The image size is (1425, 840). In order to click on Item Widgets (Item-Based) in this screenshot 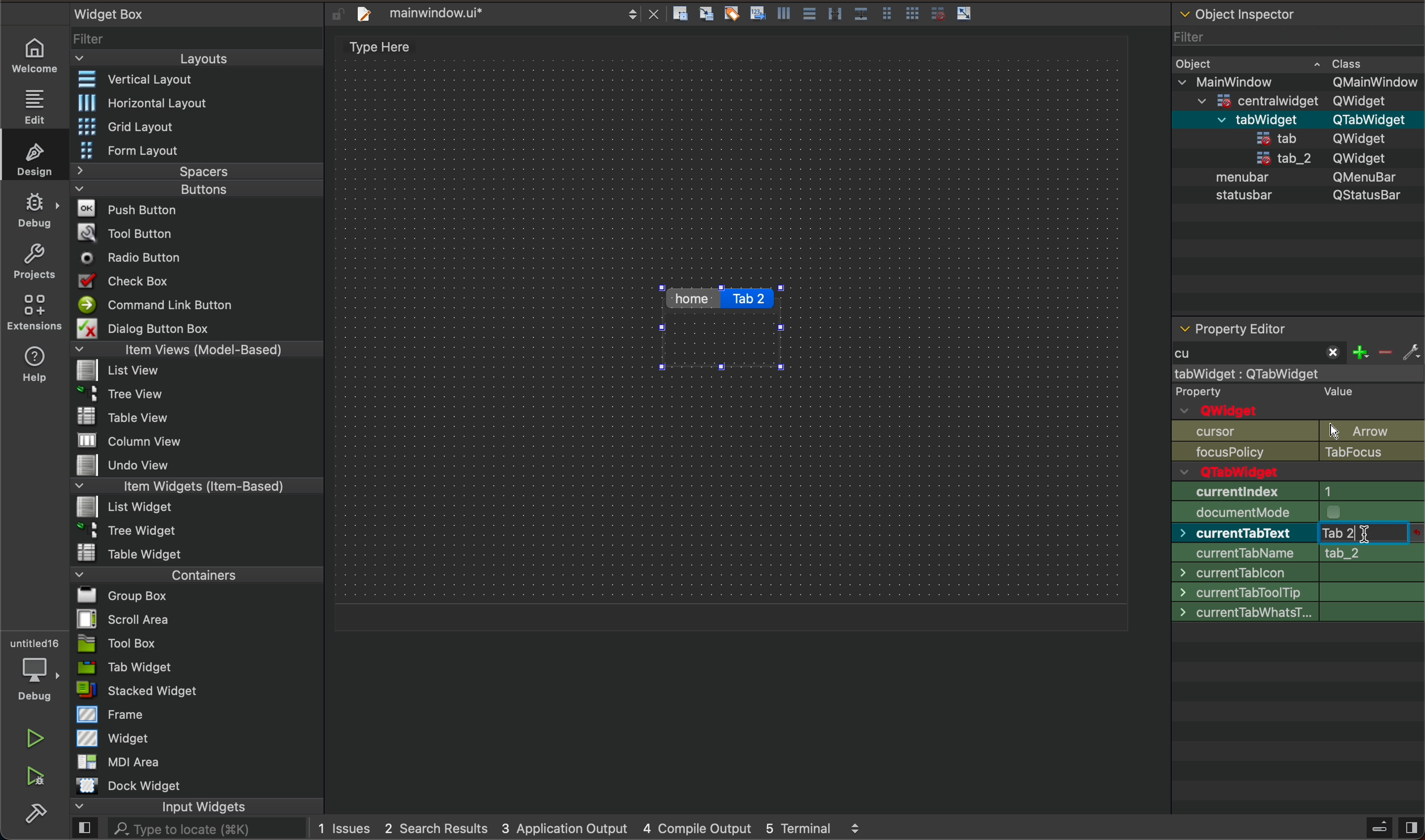, I will do `click(198, 486)`.